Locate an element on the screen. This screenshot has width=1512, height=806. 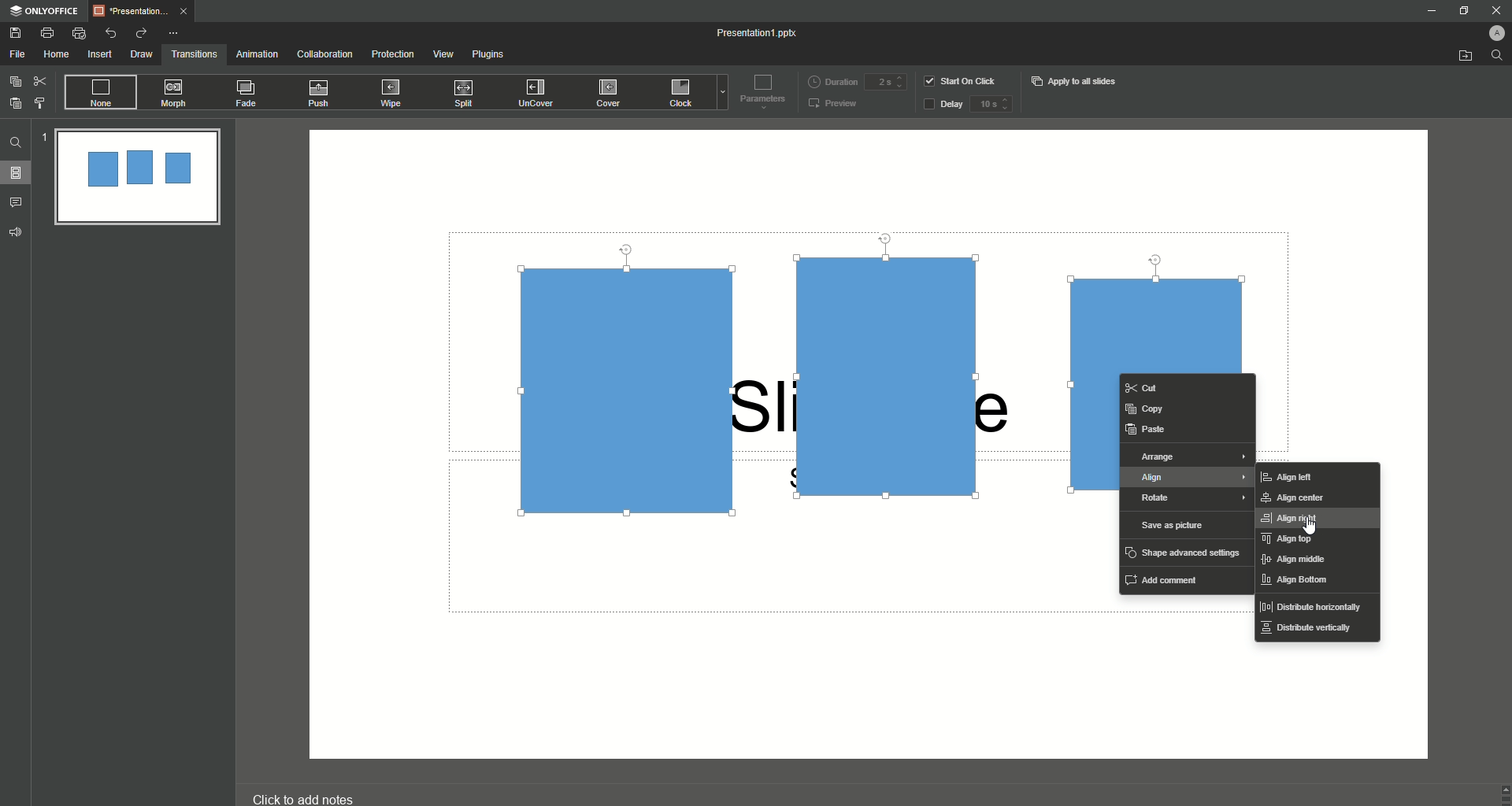
Tab 1 is located at coordinates (145, 11).